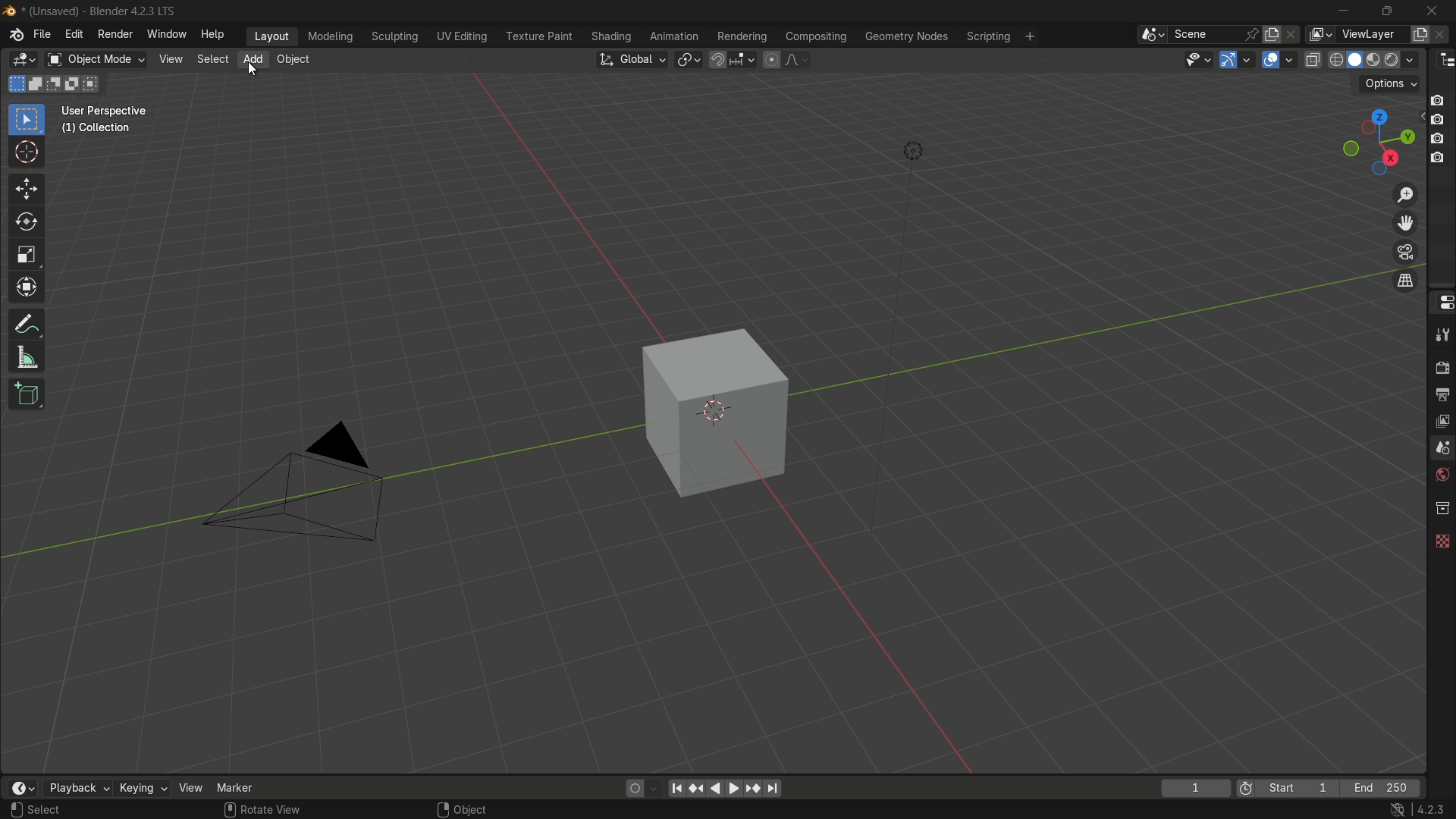 Image resolution: width=1456 pixels, height=819 pixels. What do you see at coordinates (1299, 787) in the screenshot?
I see `start` at bounding box center [1299, 787].